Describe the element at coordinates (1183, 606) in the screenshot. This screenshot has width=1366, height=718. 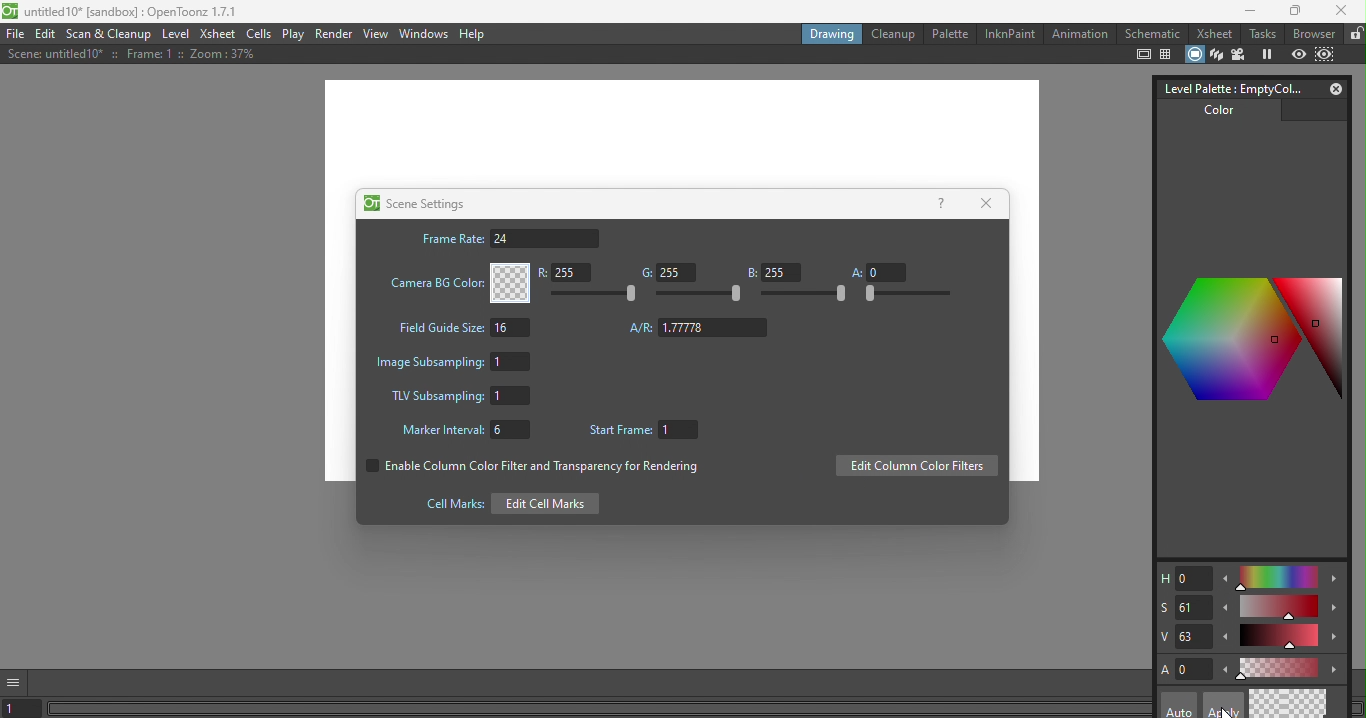
I see `S` at that location.